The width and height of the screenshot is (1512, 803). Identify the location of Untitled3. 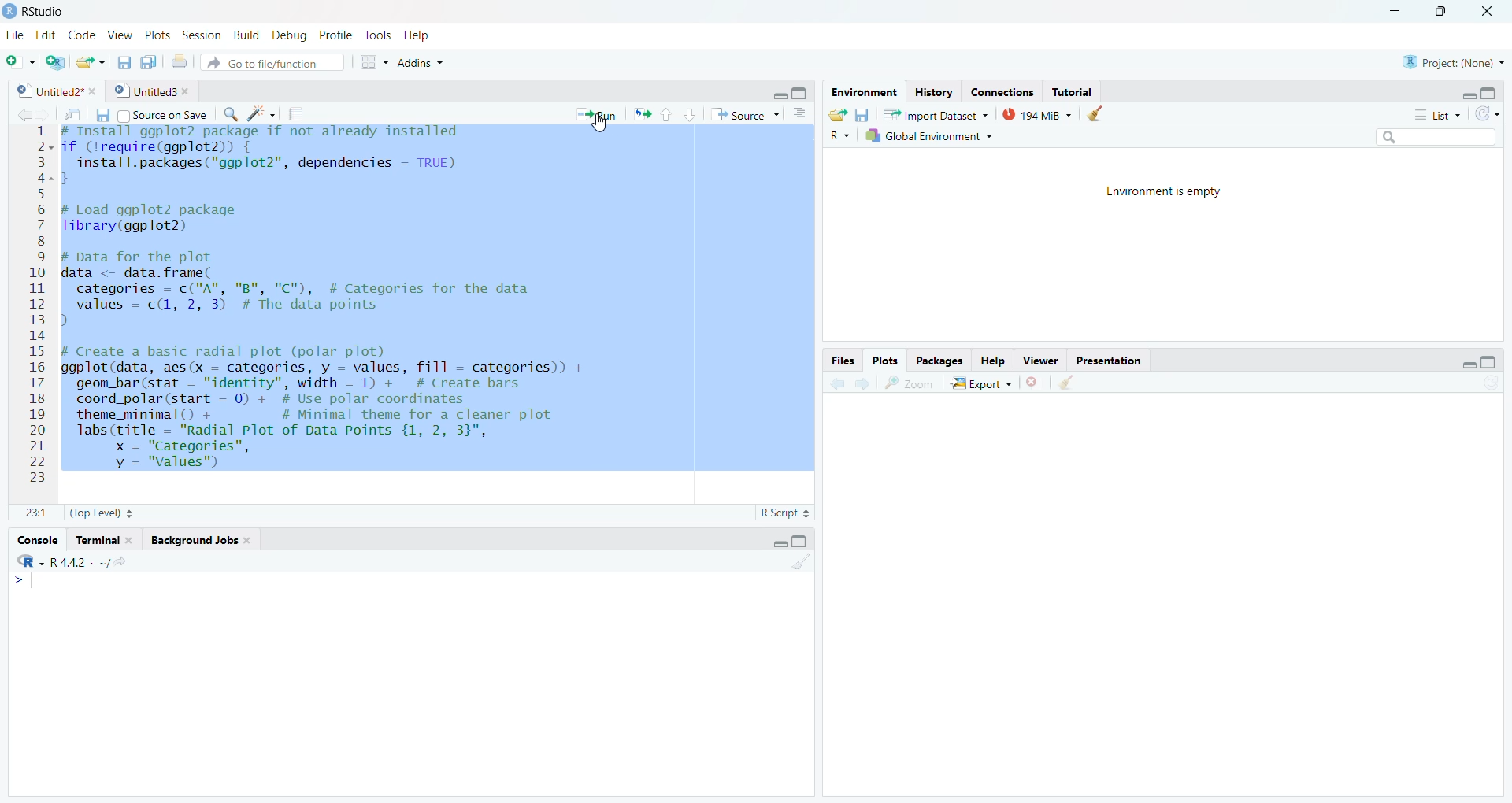
(155, 92).